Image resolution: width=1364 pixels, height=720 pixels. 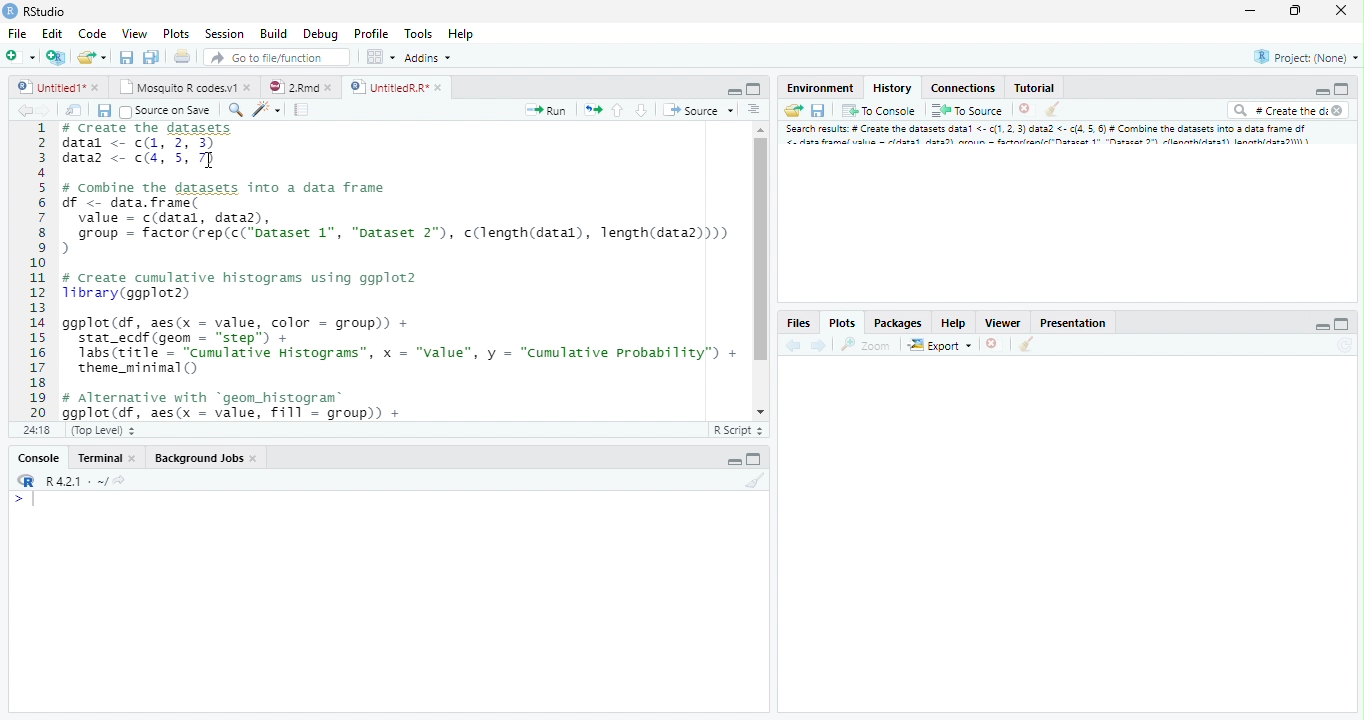 What do you see at coordinates (126, 57) in the screenshot?
I see `Save` at bounding box center [126, 57].